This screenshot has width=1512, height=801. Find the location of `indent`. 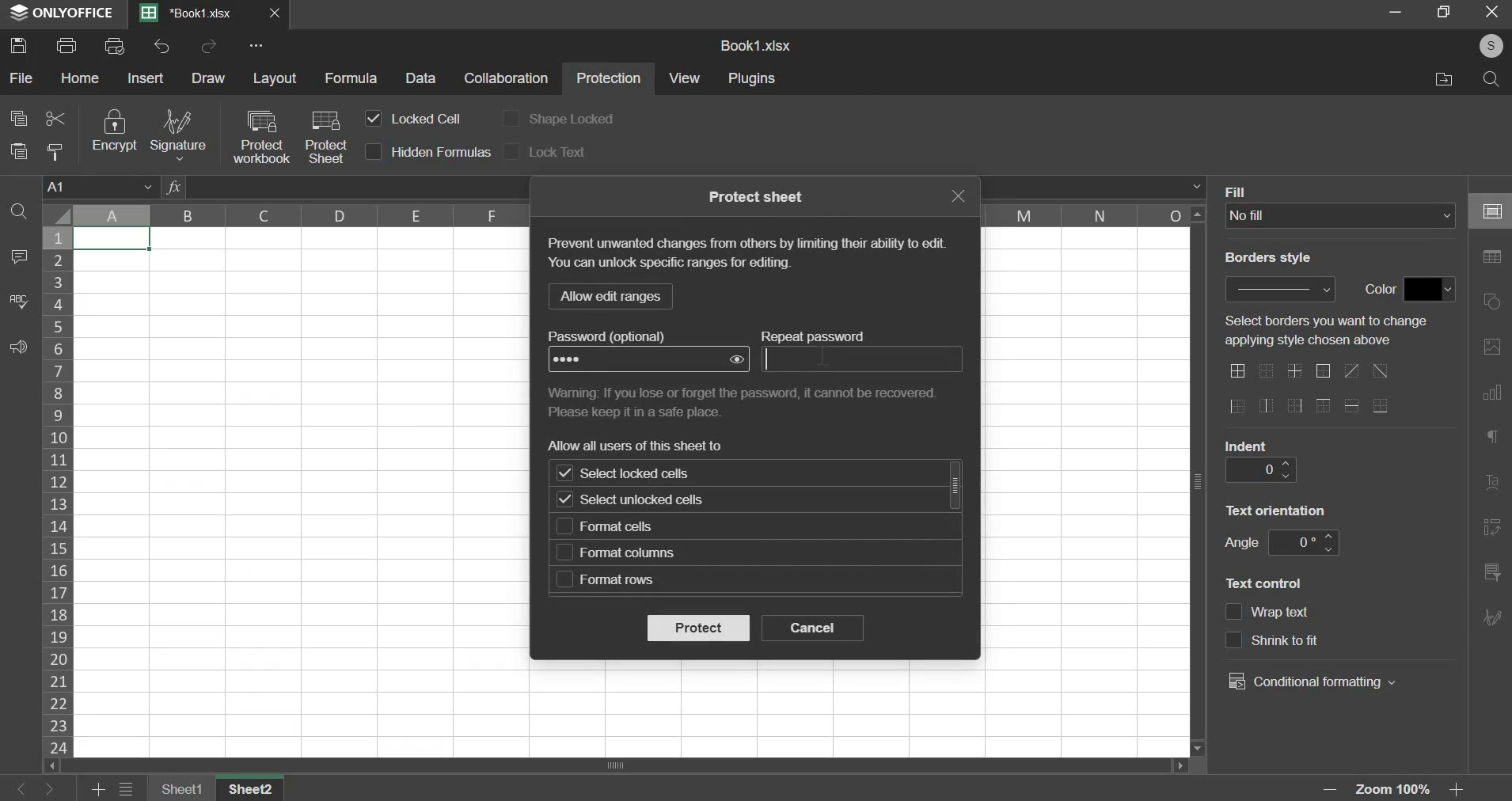

indent is located at coordinates (1246, 445).